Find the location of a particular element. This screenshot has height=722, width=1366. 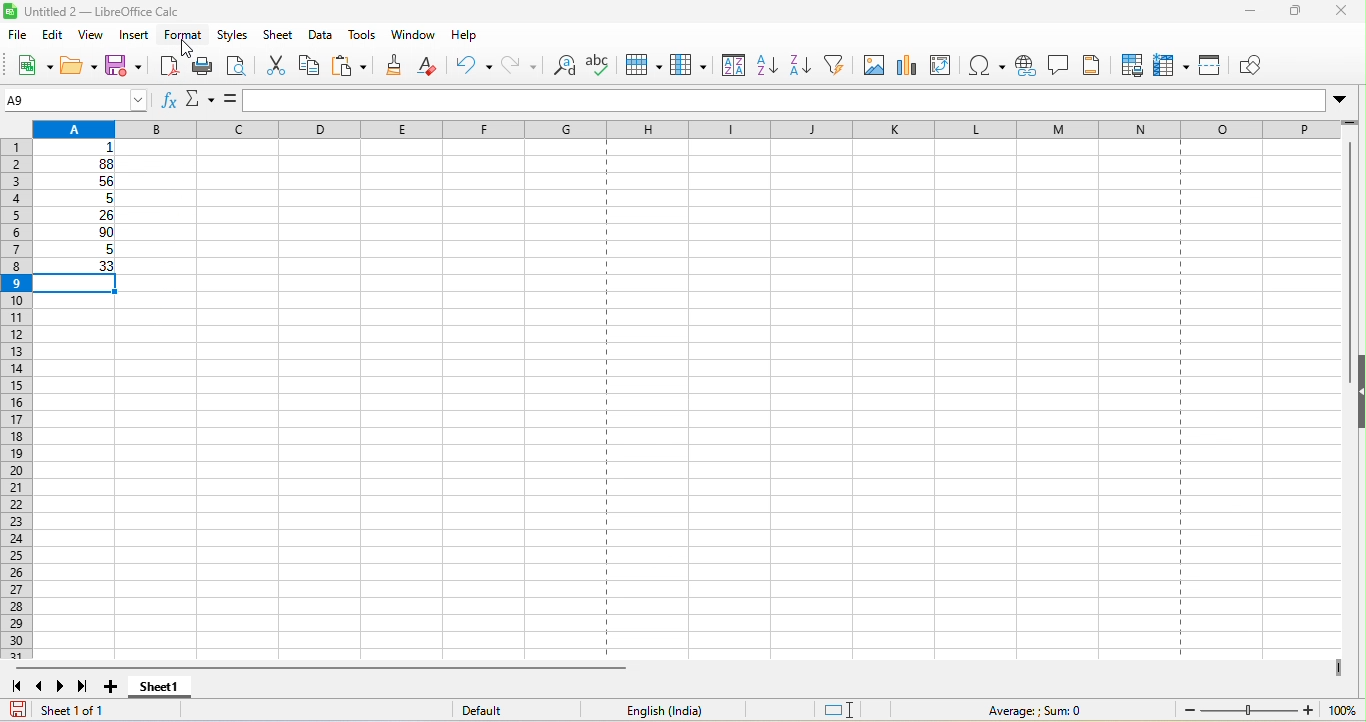

styles is located at coordinates (234, 36).